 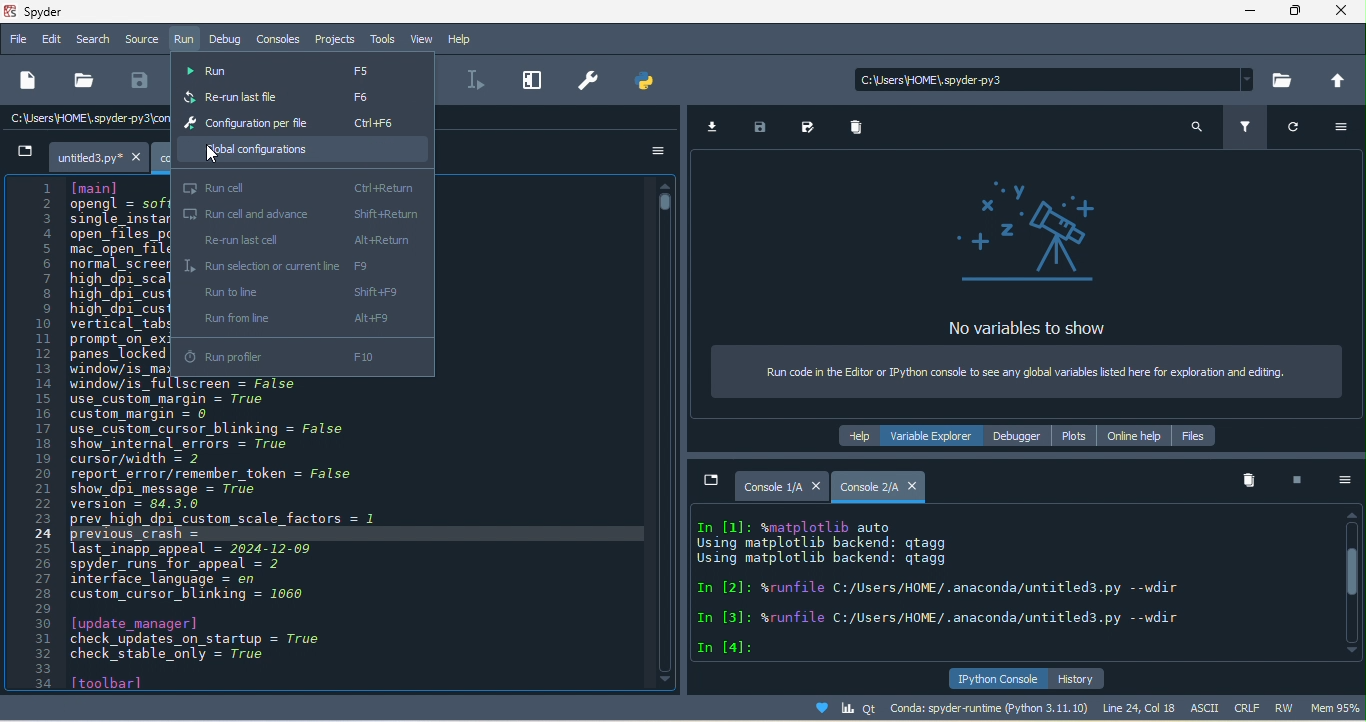 What do you see at coordinates (293, 319) in the screenshot?
I see `run from line` at bounding box center [293, 319].